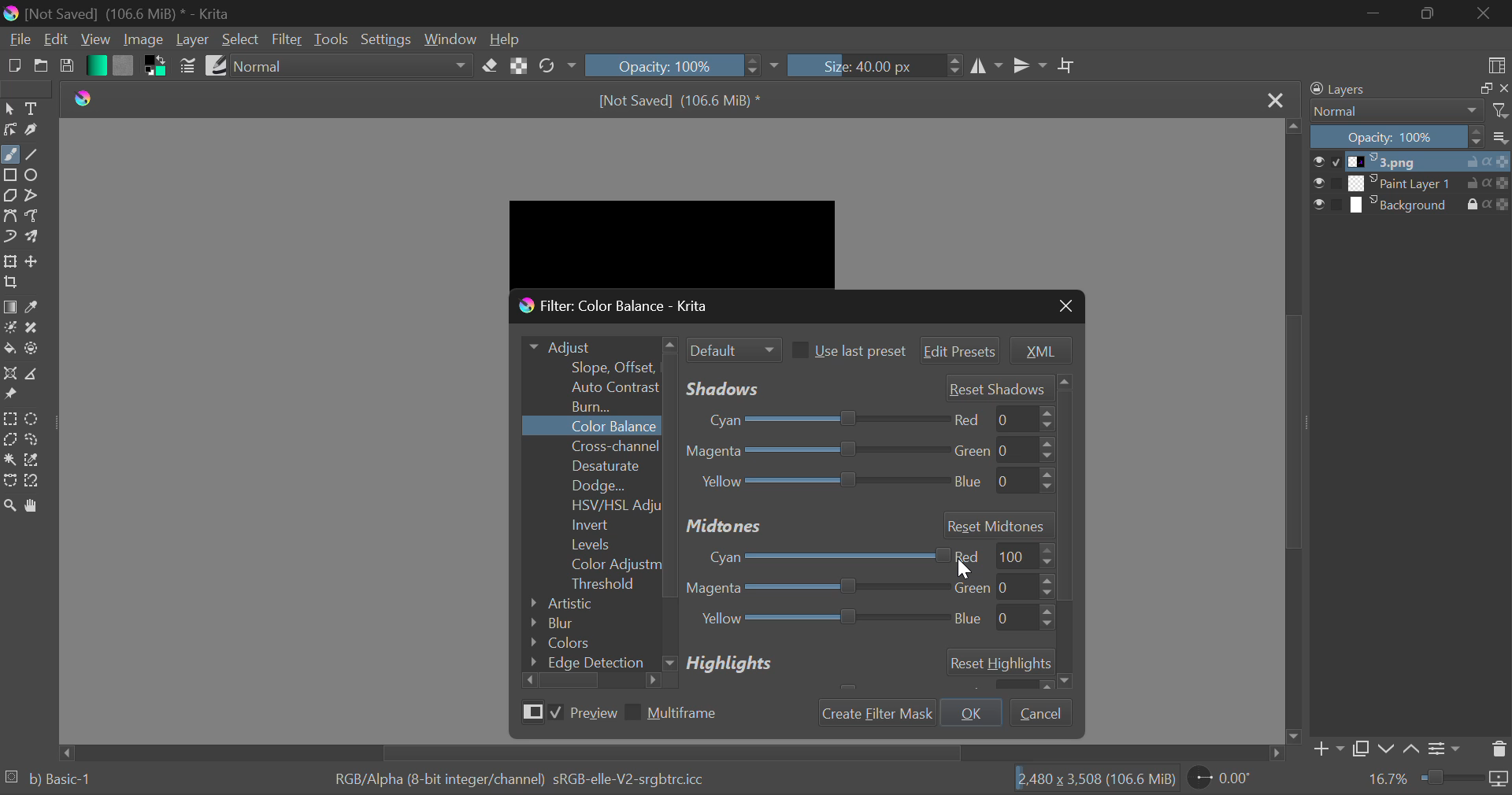  Describe the element at coordinates (1482, 13) in the screenshot. I see `Close` at that location.